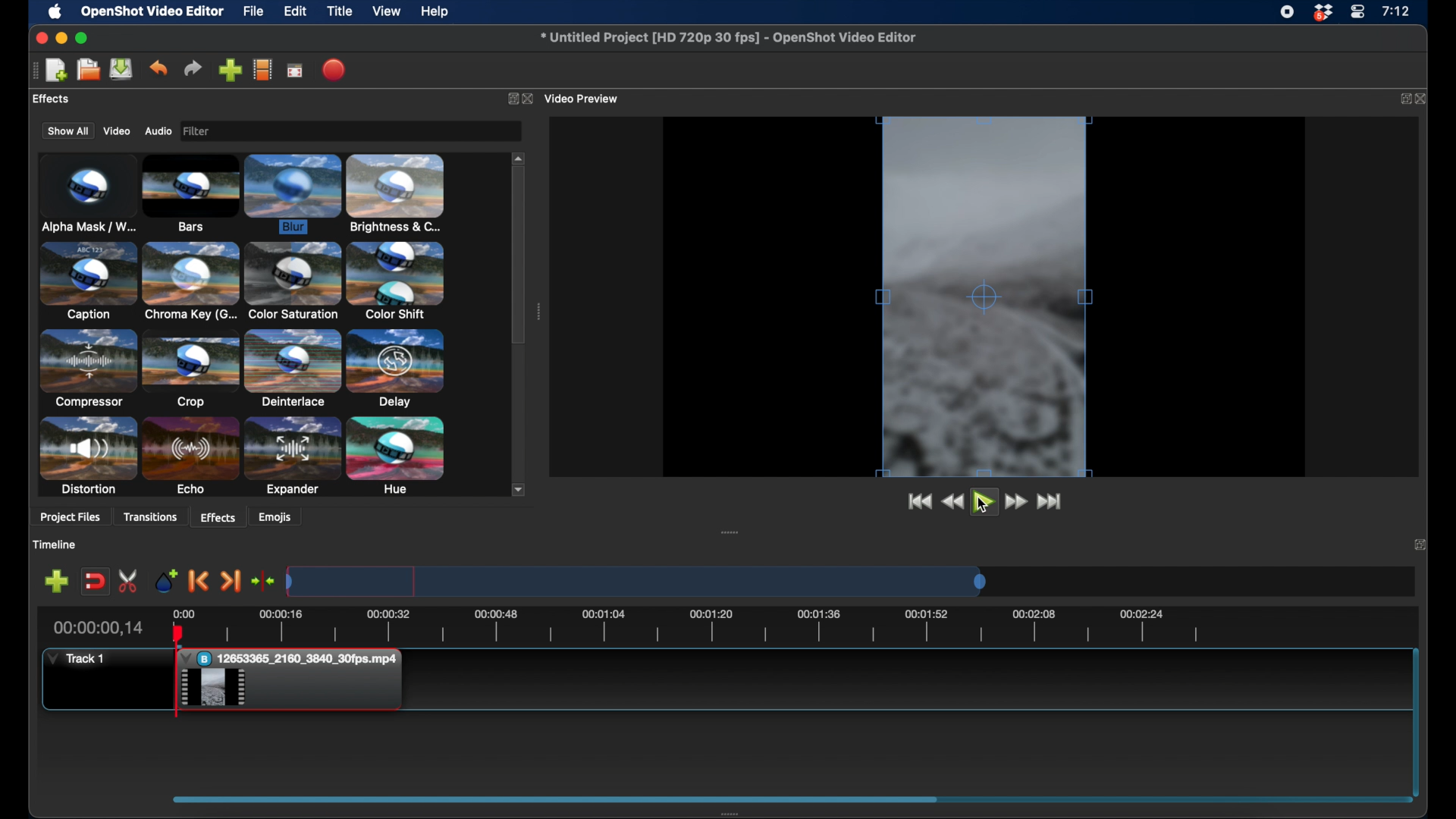  Describe the element at coordinates (983, 507) in the screenshot. I see `cursor` at that location.